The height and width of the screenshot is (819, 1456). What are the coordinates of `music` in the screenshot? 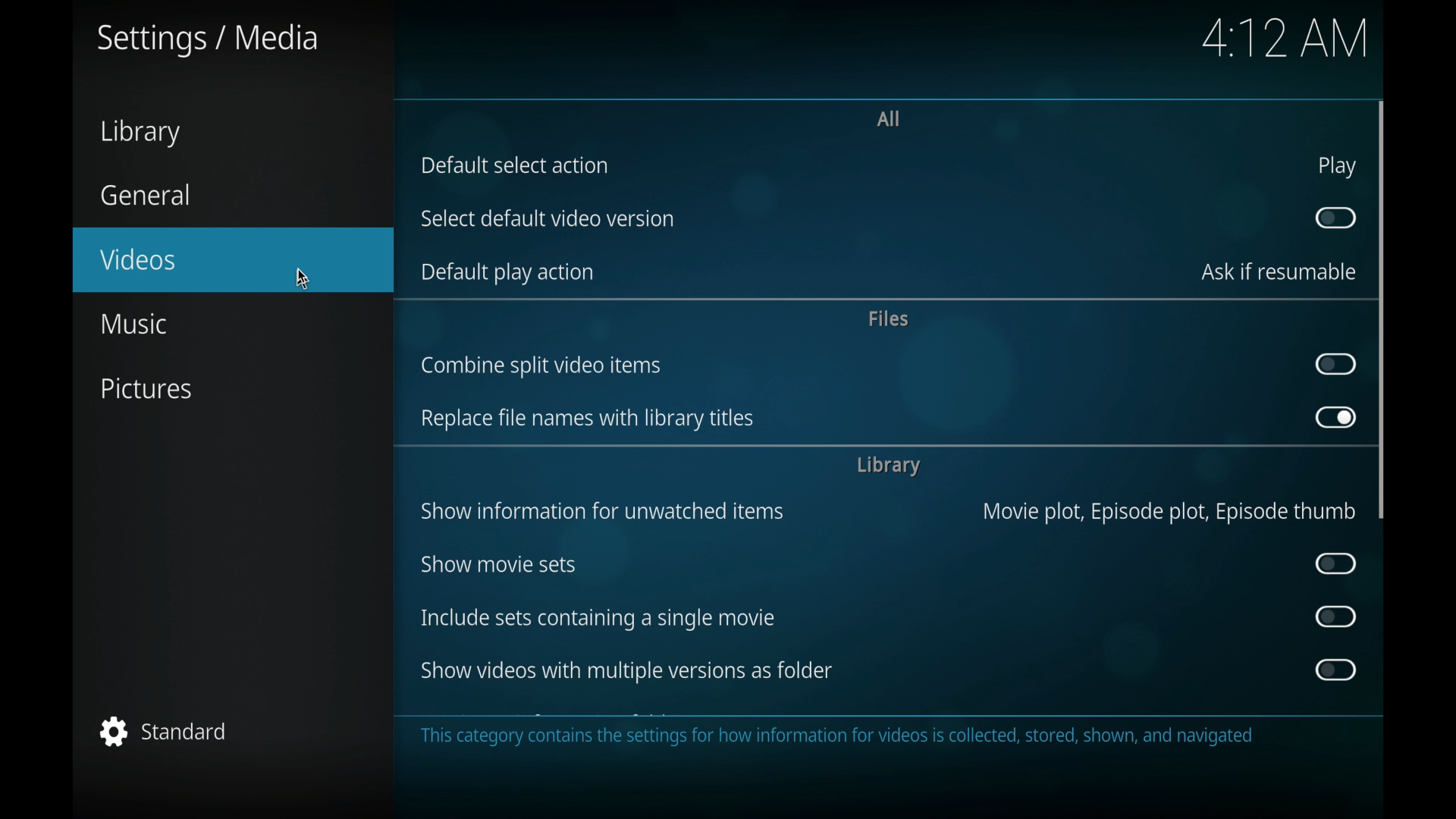 It's located at (135, 325).